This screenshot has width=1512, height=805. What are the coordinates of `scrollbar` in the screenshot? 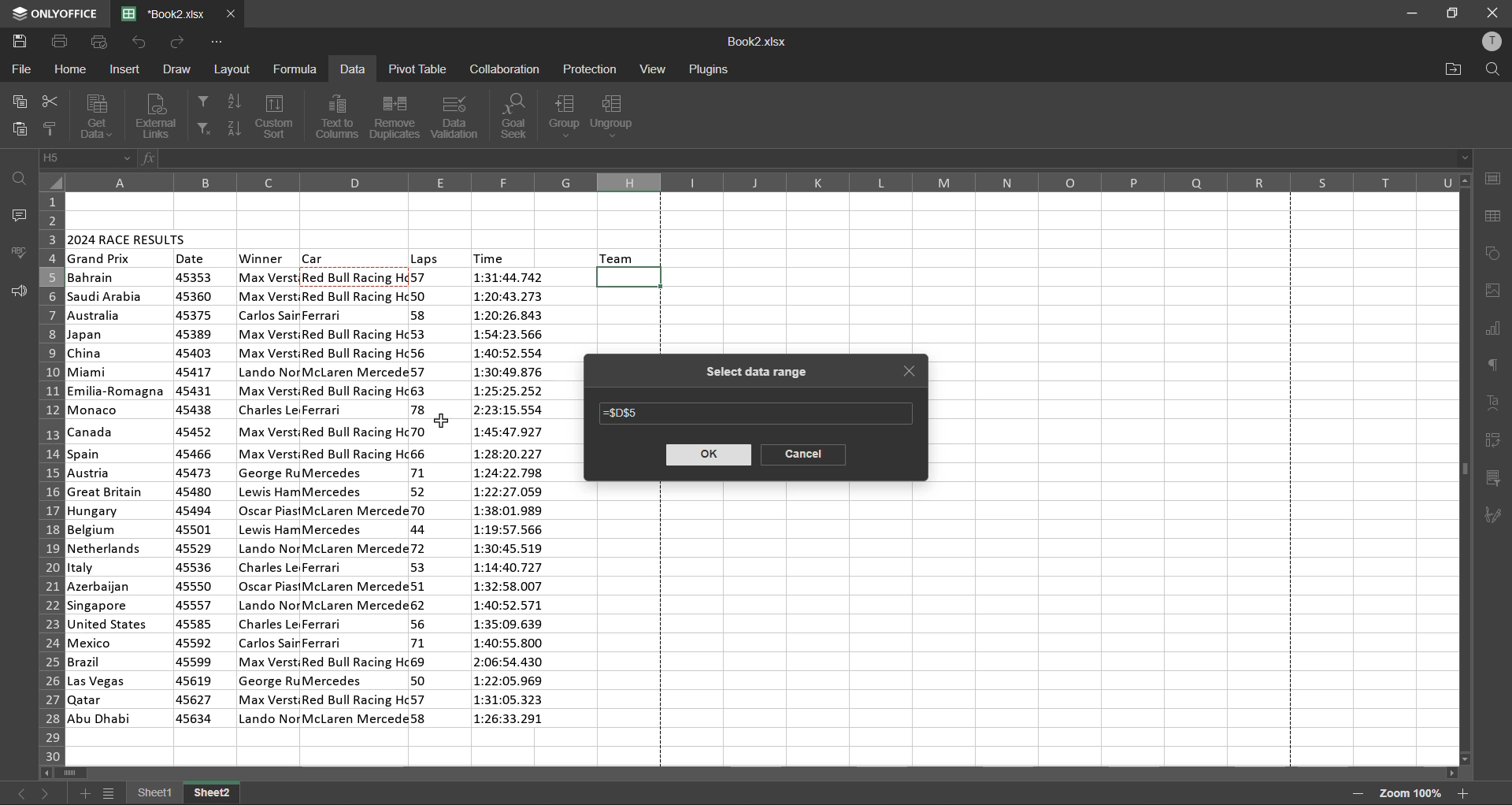 It's located at (1465, 469).